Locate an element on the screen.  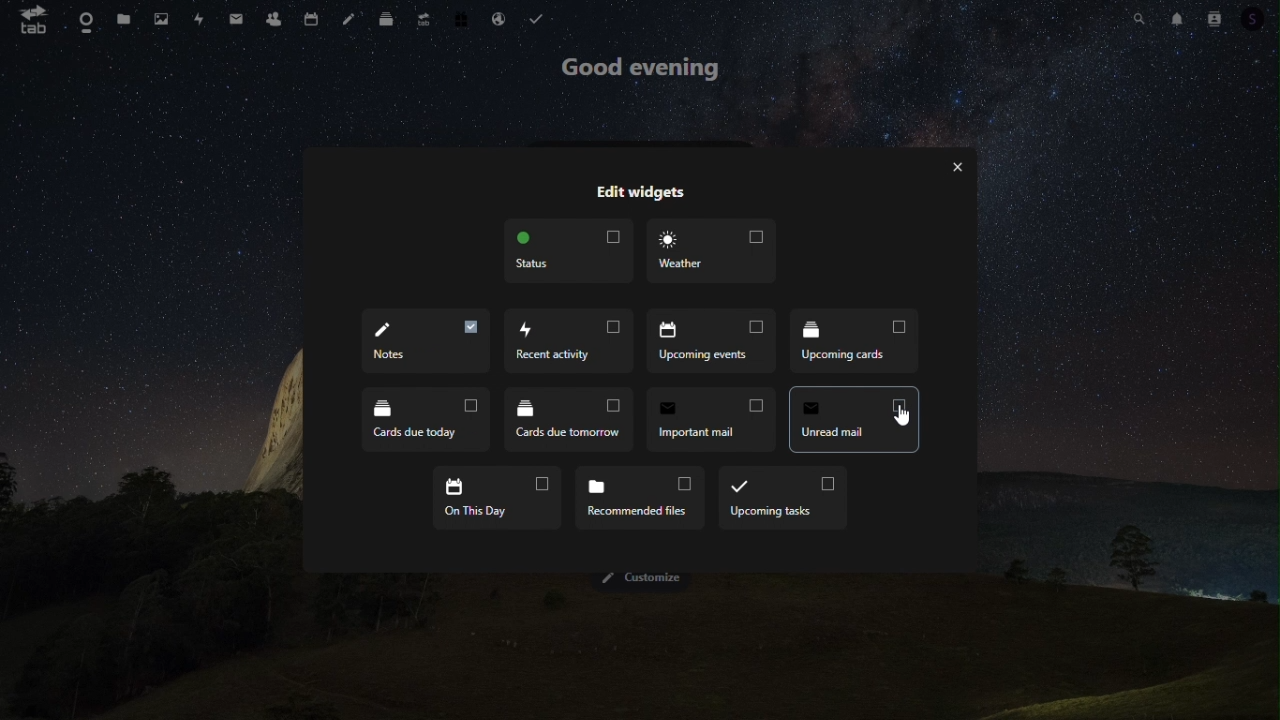
mail is located at coordinates (235, 22).